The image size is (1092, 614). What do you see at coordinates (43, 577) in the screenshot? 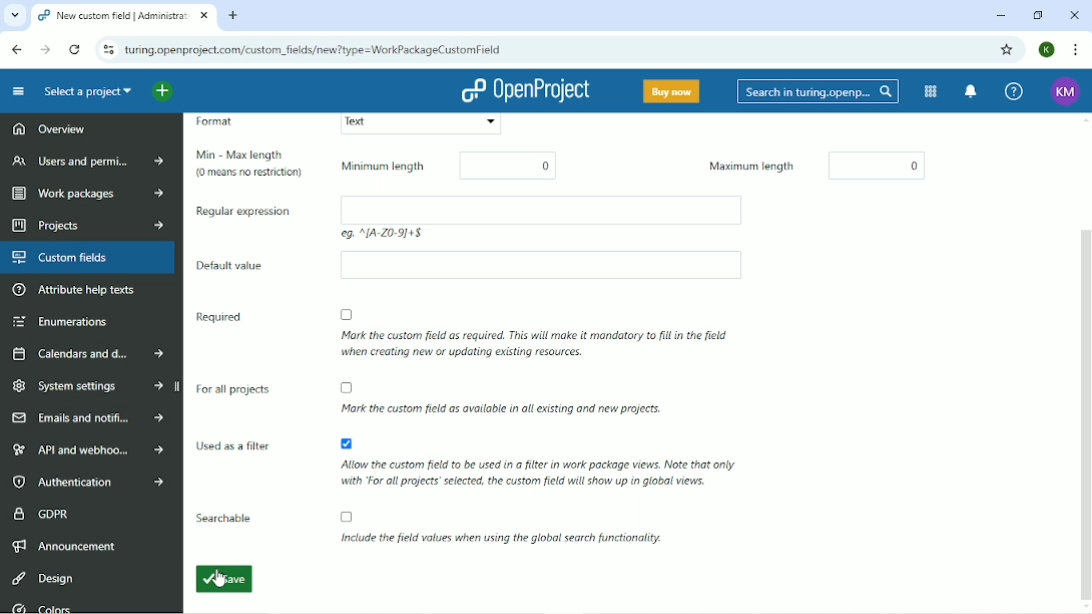
I see `Design` at bounding box center [43, 577].